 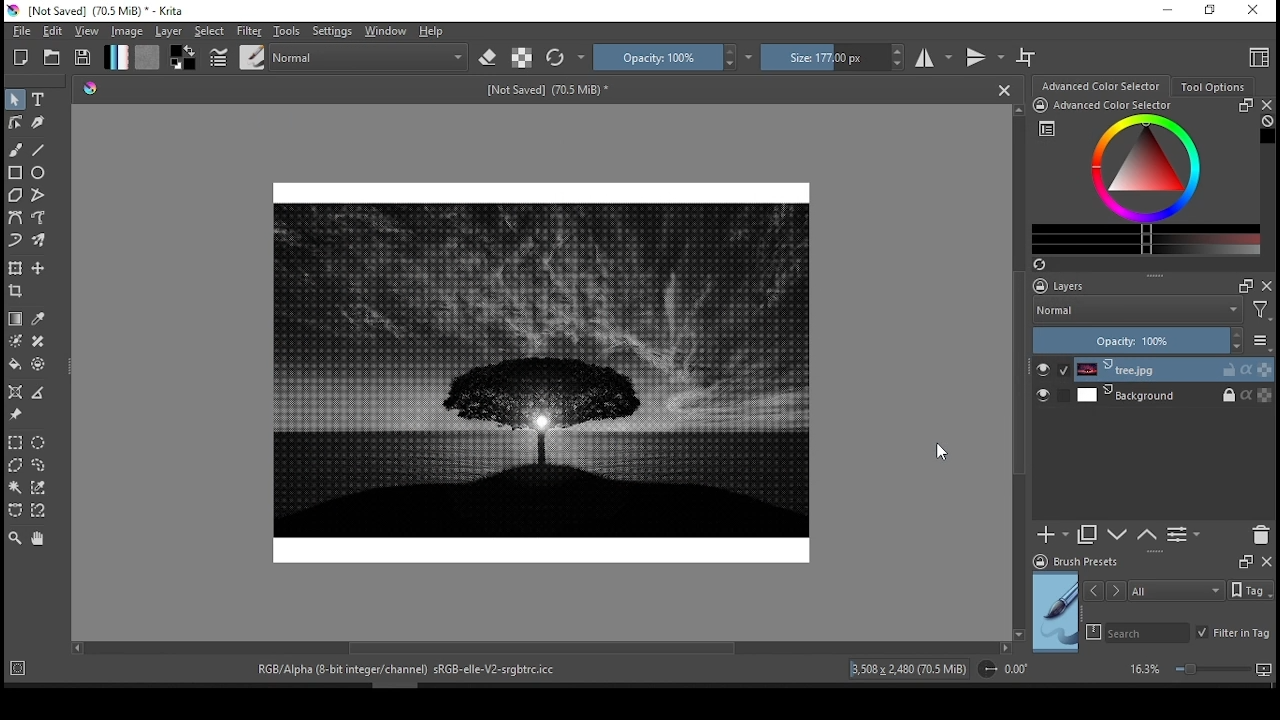 I want to click on edit, so click(x=52, y=31).